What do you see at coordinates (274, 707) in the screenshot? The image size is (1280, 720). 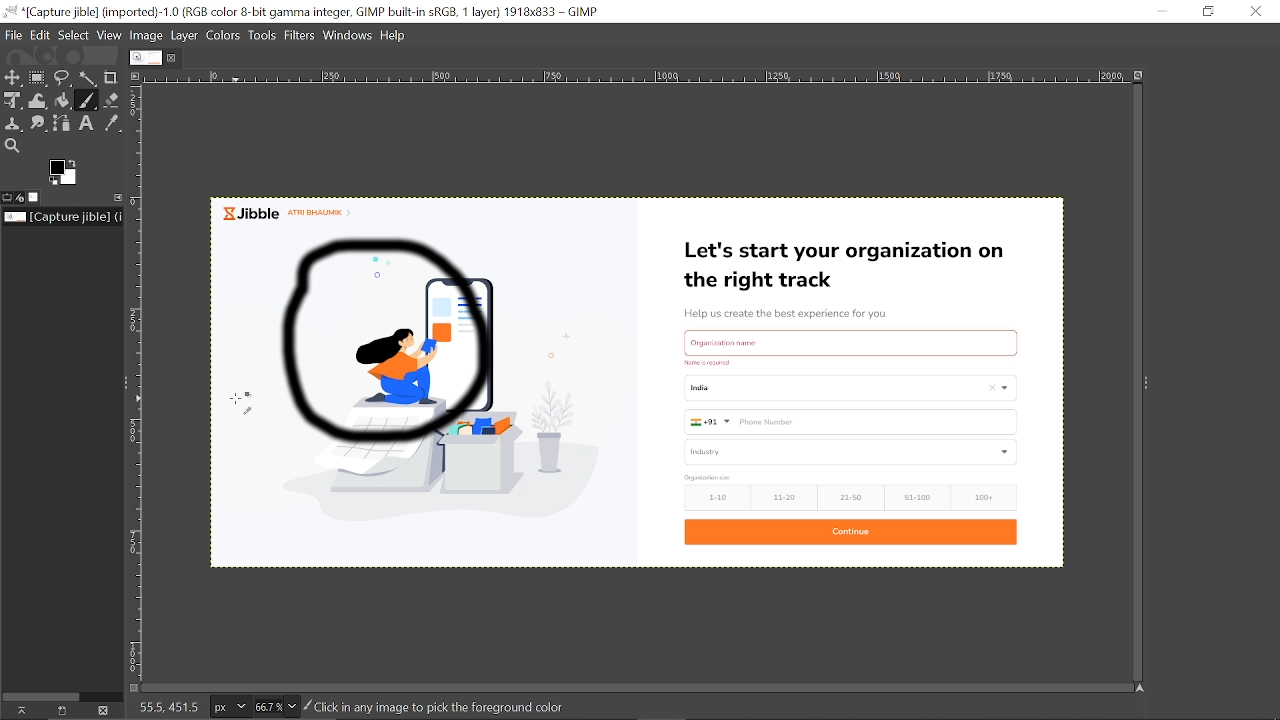 I see `Zoom` at bounding box center [274, 707].